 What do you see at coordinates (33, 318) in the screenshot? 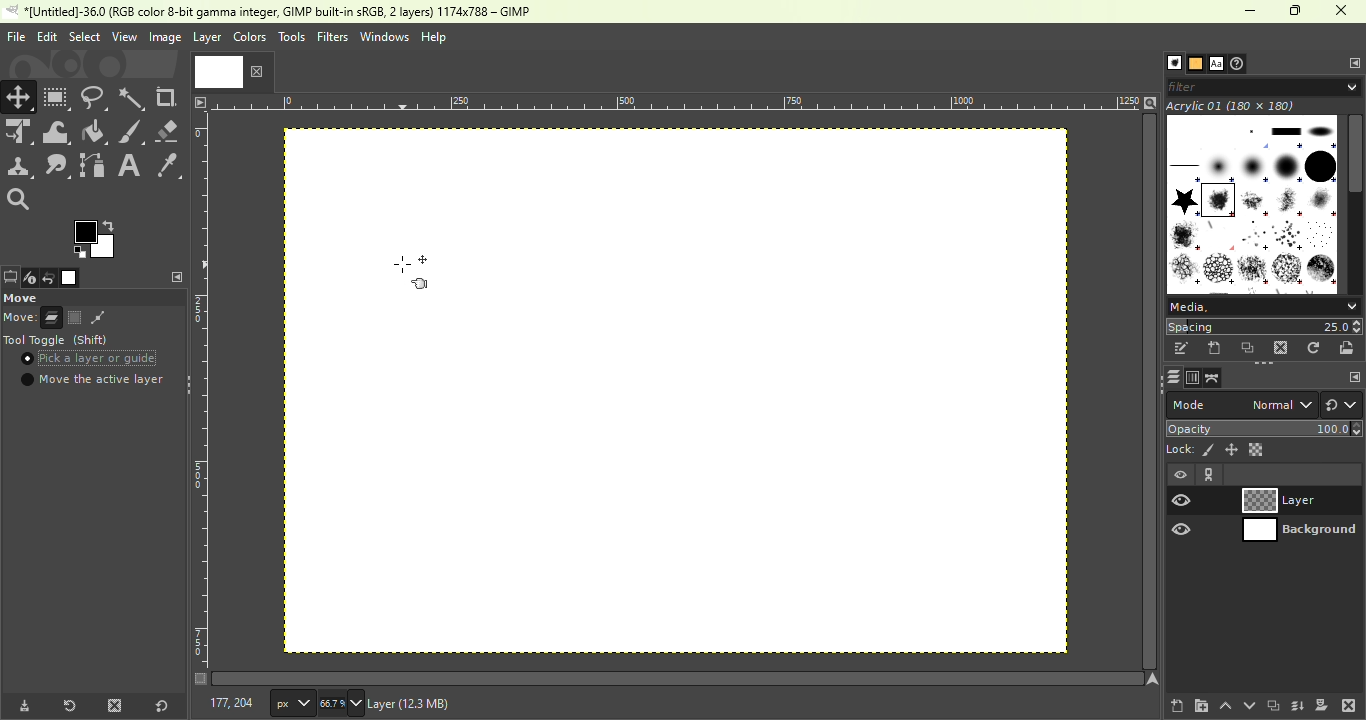
I see `Mode` at bounding box center [33, 318].